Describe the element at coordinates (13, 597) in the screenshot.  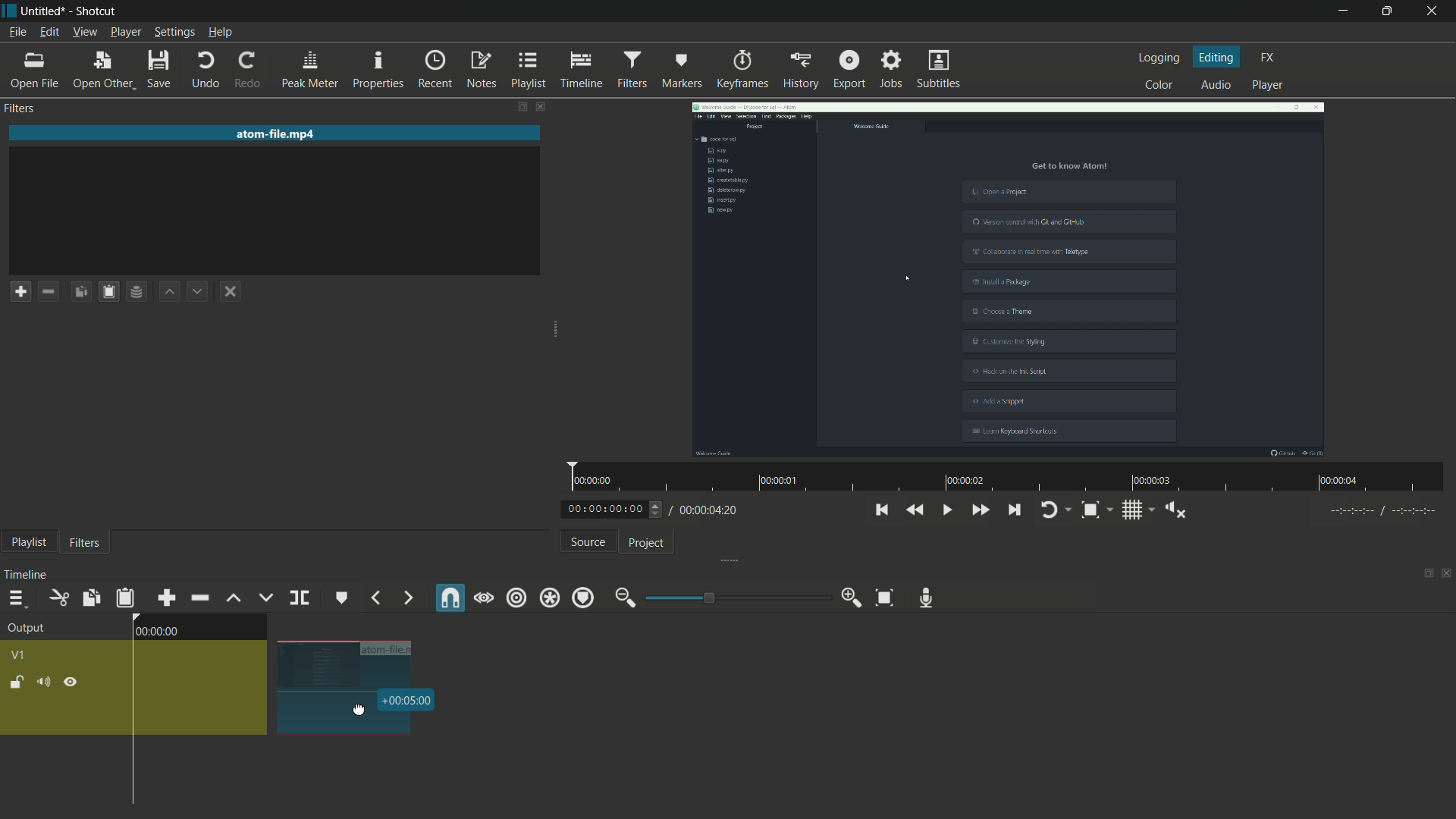
I see `timeline menu` at that location.